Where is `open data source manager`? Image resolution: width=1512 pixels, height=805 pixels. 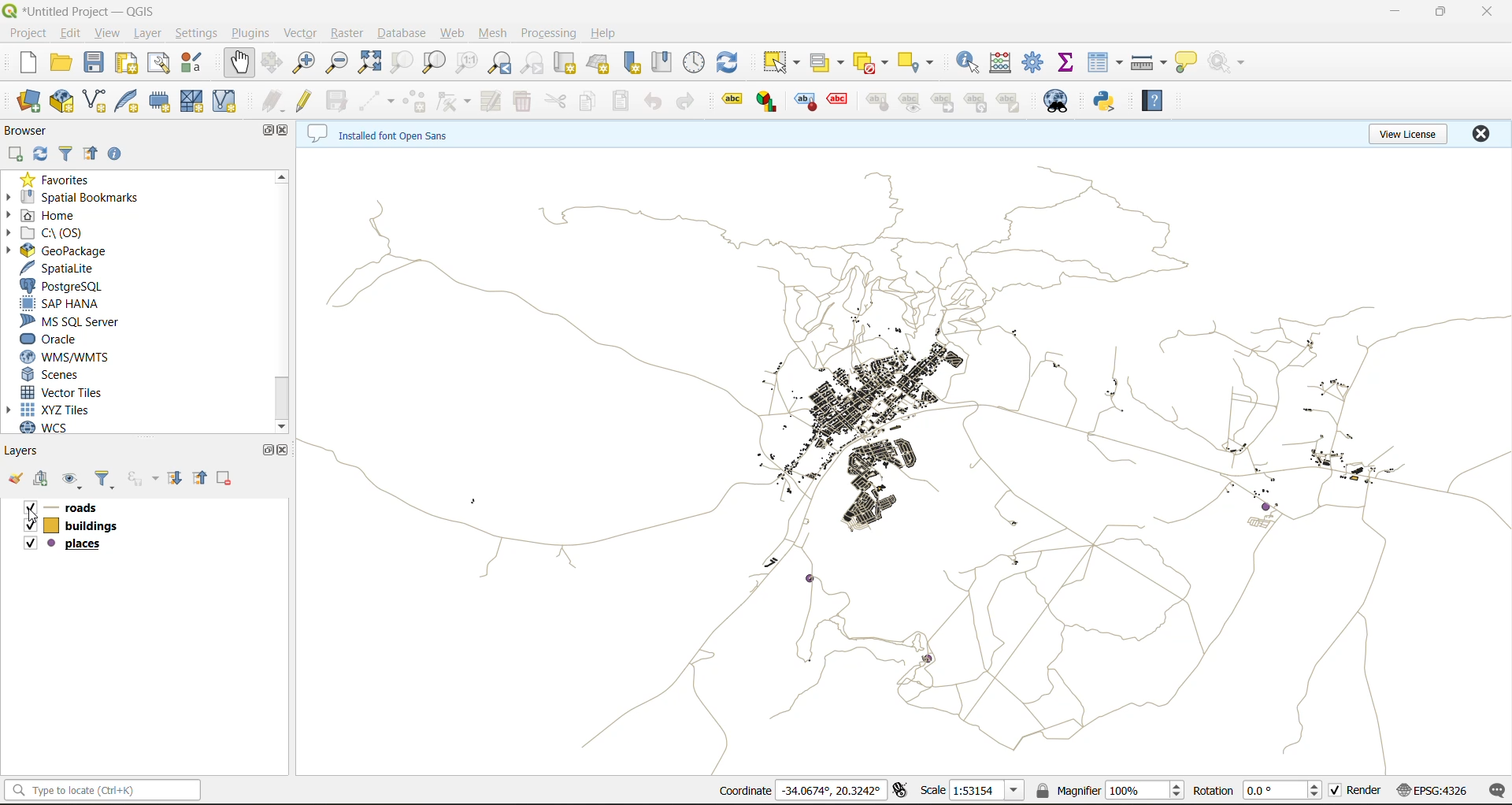
open data source manager is located at coordinates (31, 101).